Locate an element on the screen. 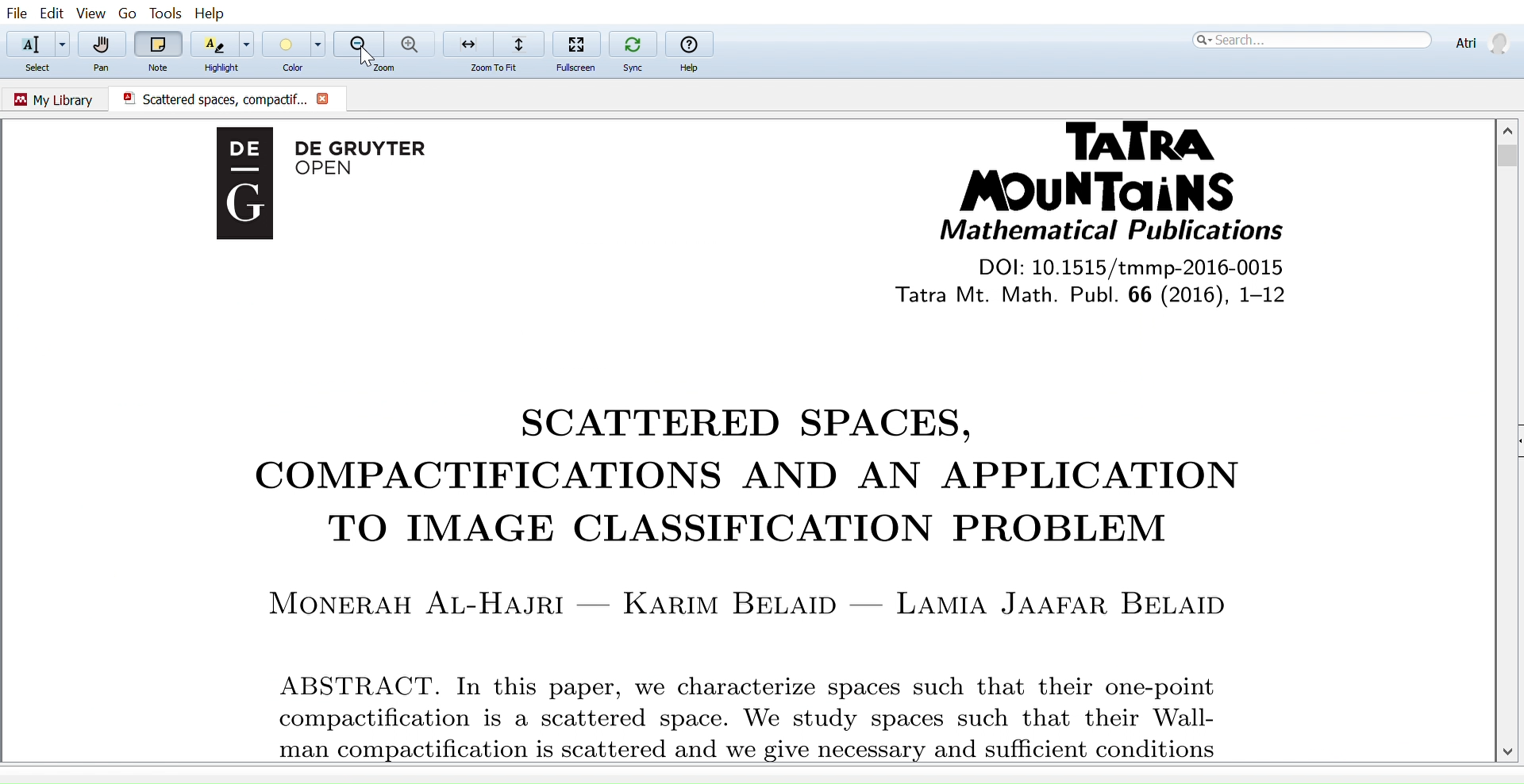 The width and height of the screenshot is (1524, 784). zoom to fit is located at coordinates (499, 68).